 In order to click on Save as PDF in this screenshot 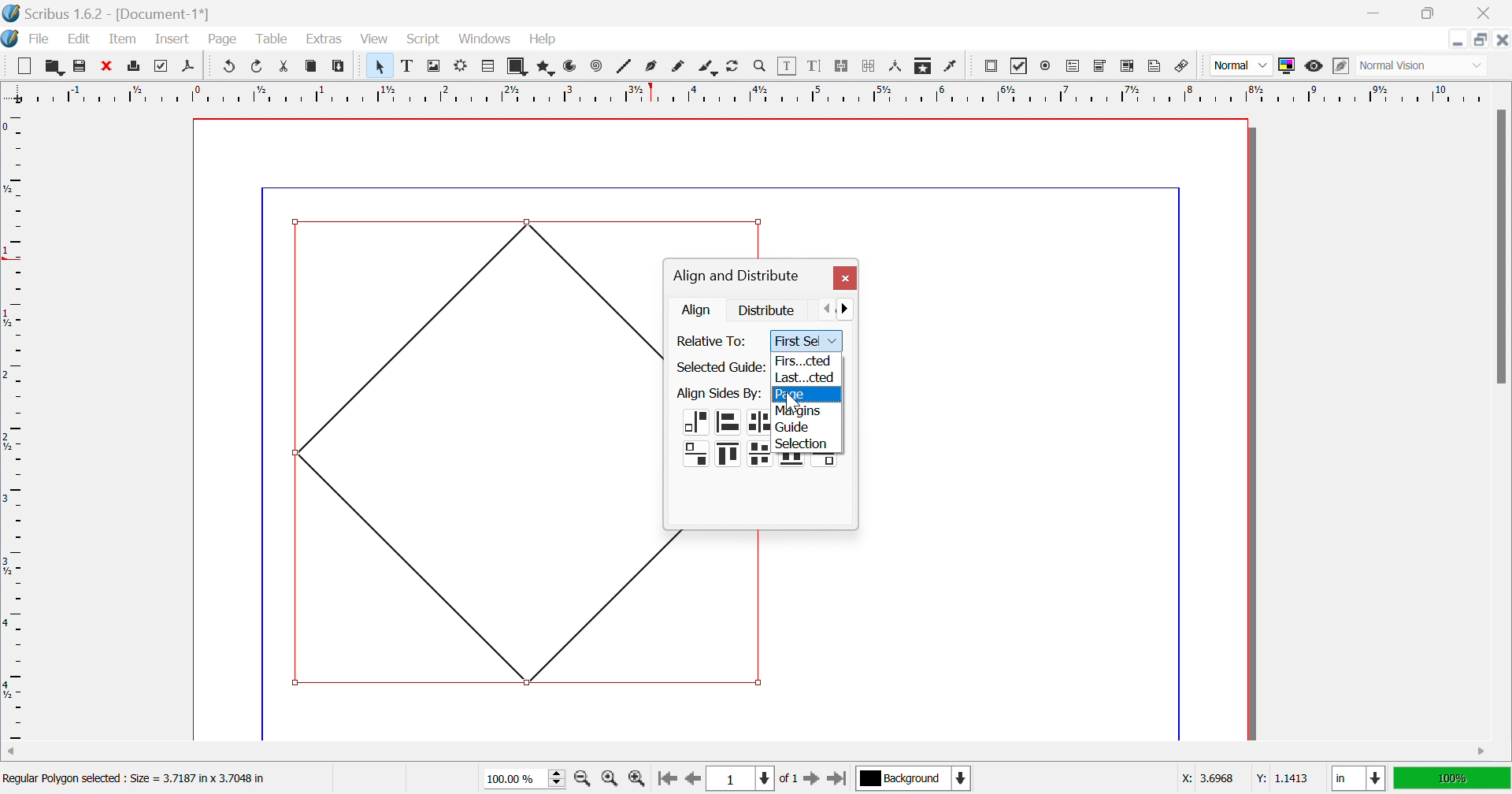, I will do `click(192, 67)`.